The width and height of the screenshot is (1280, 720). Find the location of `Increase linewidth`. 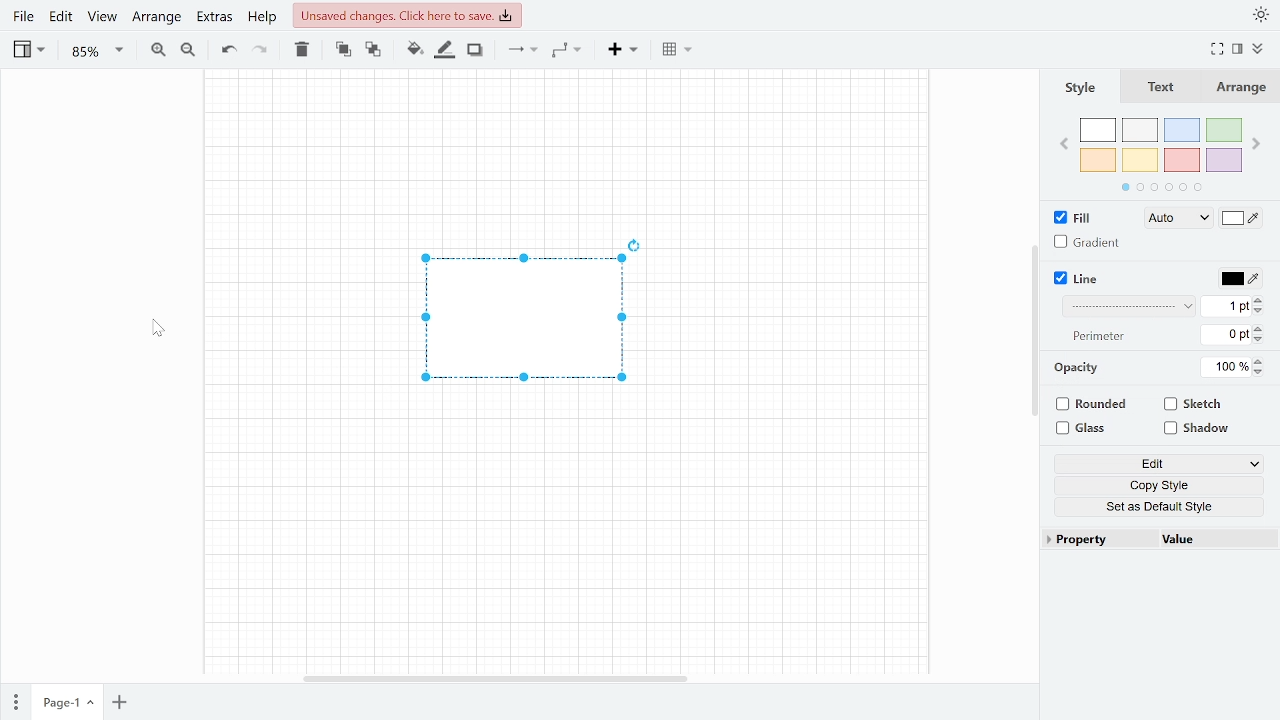

Increase linewidth is located at coordinates (1260, 299).